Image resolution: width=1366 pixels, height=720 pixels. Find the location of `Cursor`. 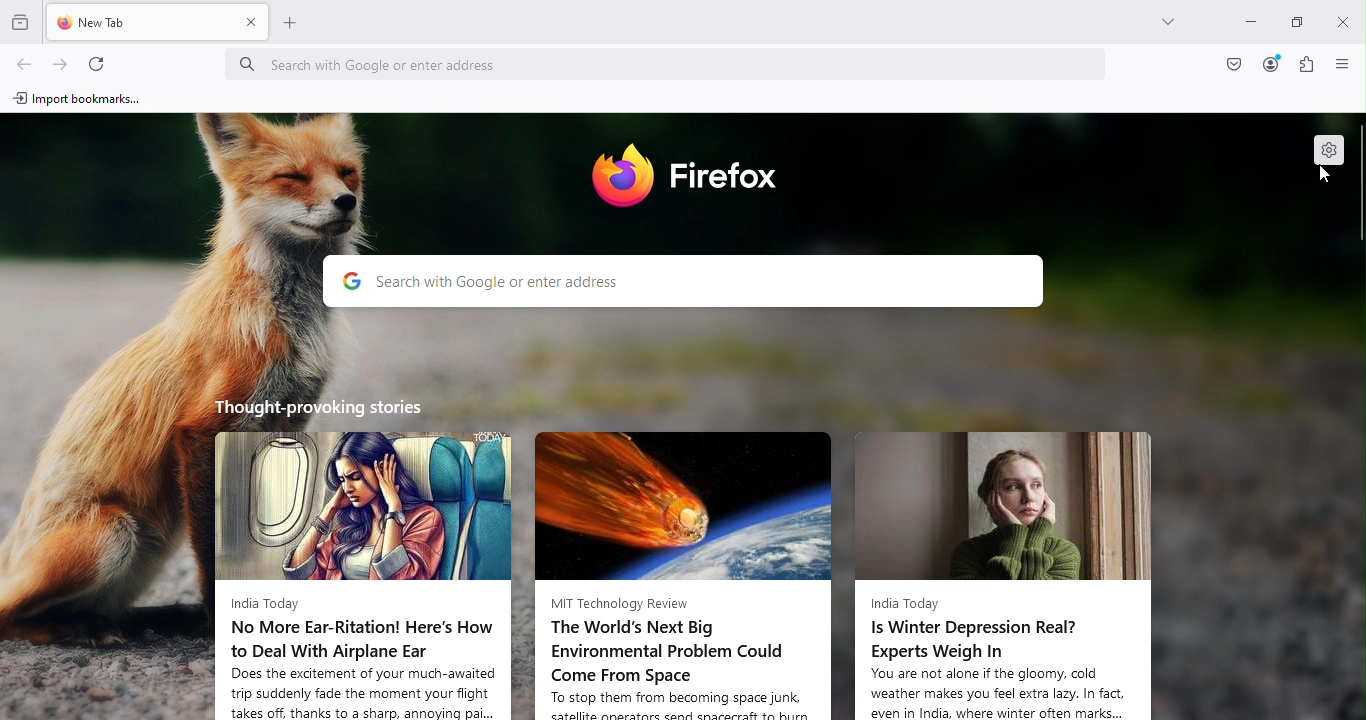

Cursor is located at coordinates (1321, 176).